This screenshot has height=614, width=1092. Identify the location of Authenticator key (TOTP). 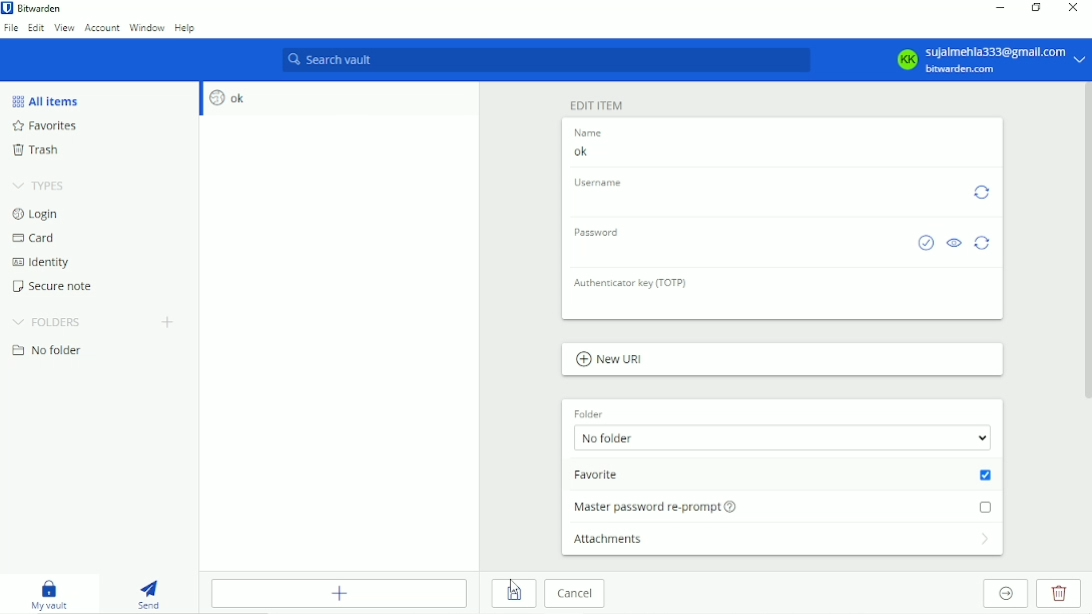
(635, 284).